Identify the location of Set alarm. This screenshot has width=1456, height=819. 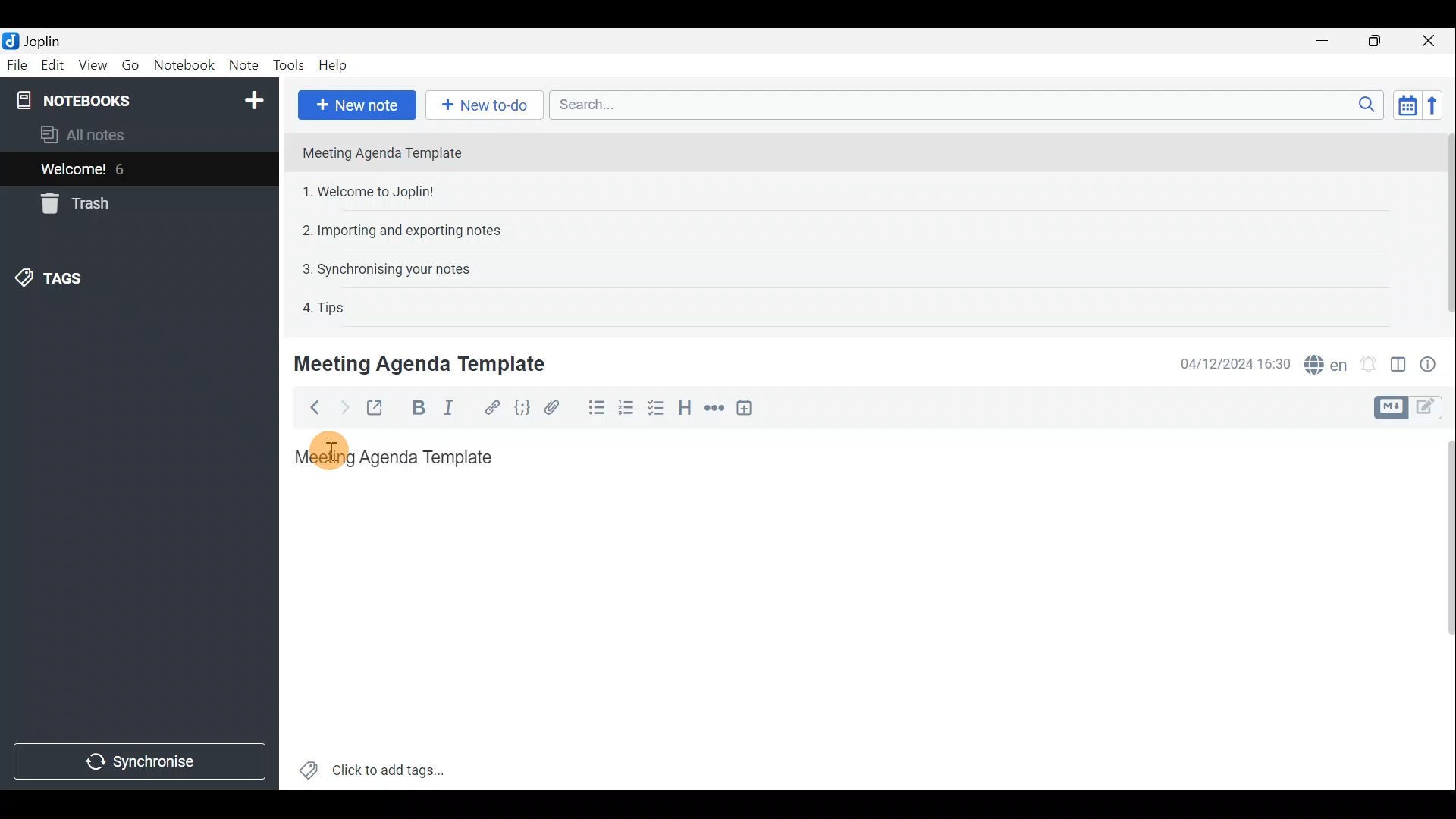
(1370, 364).